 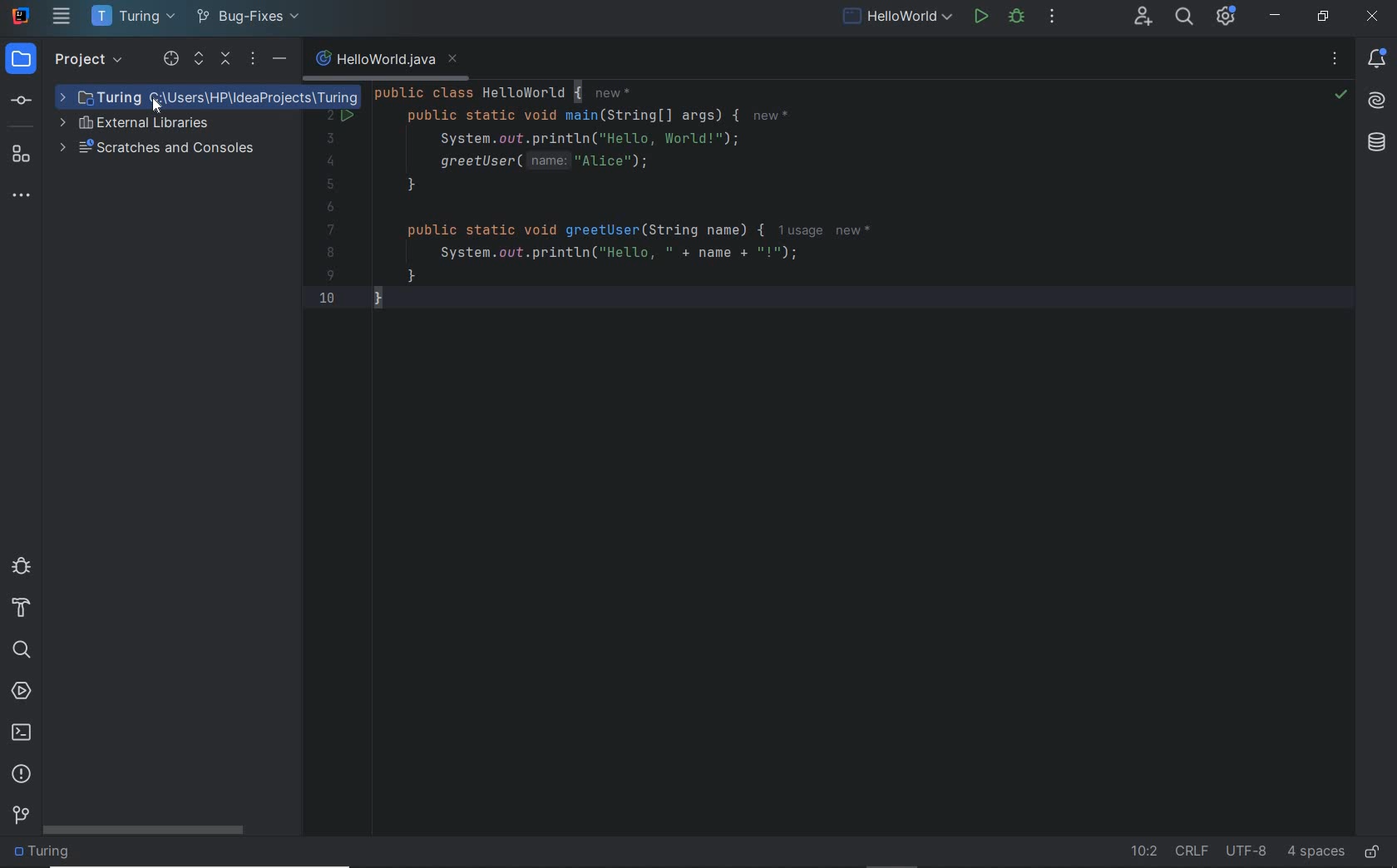 I want to click on notifications, so click(x=1378, y=60).